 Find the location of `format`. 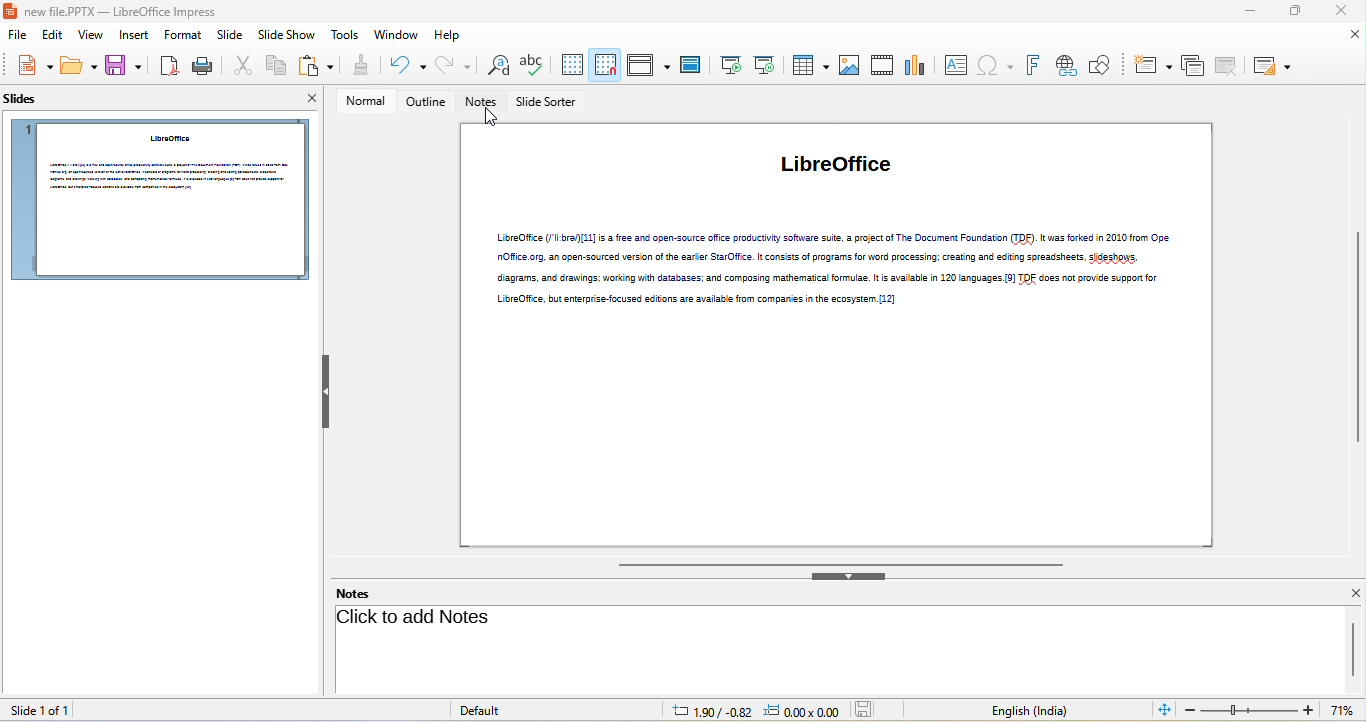

format is located at coordinates (182, 35).